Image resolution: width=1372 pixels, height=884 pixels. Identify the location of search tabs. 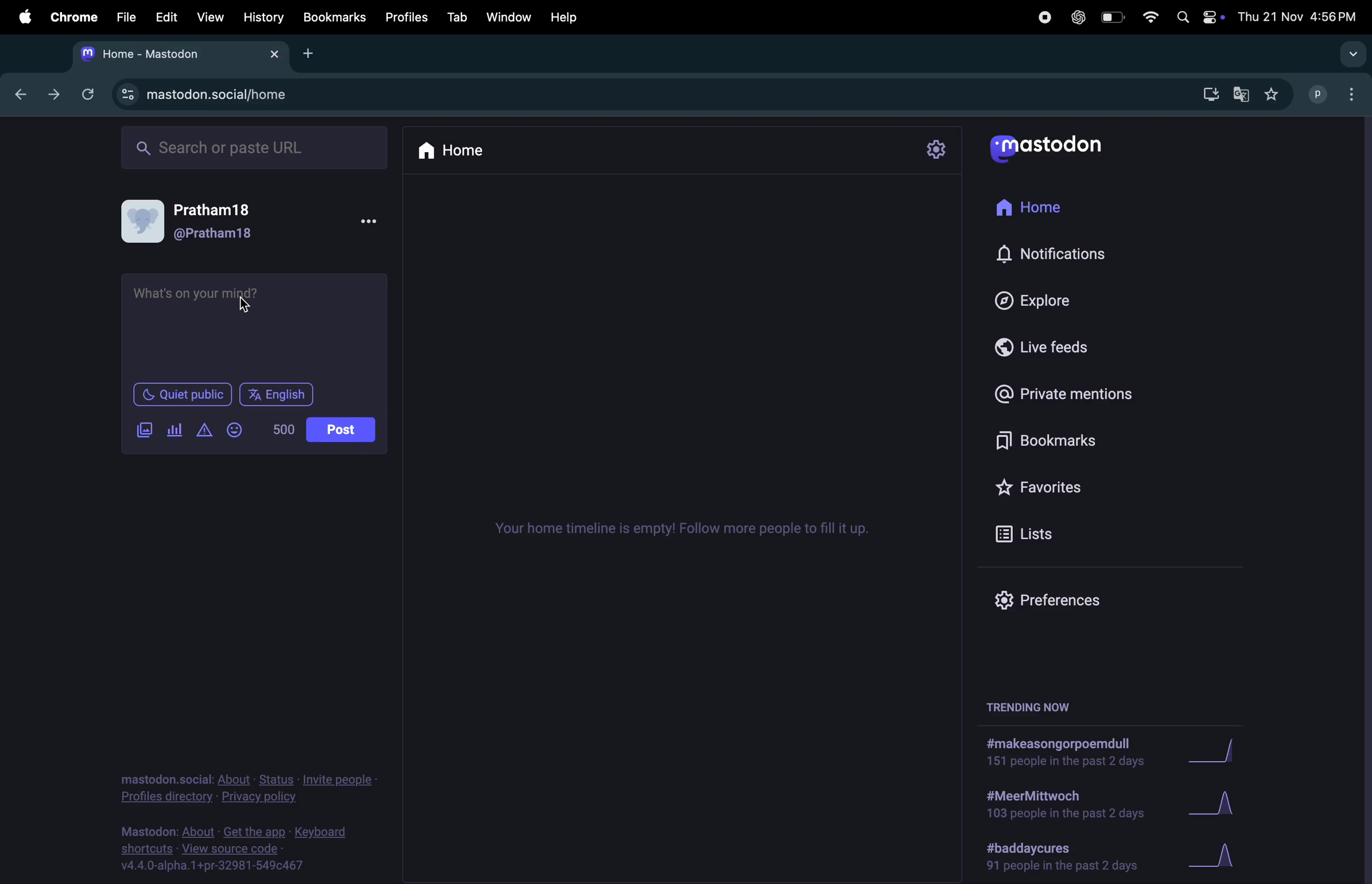
(1351, 54).